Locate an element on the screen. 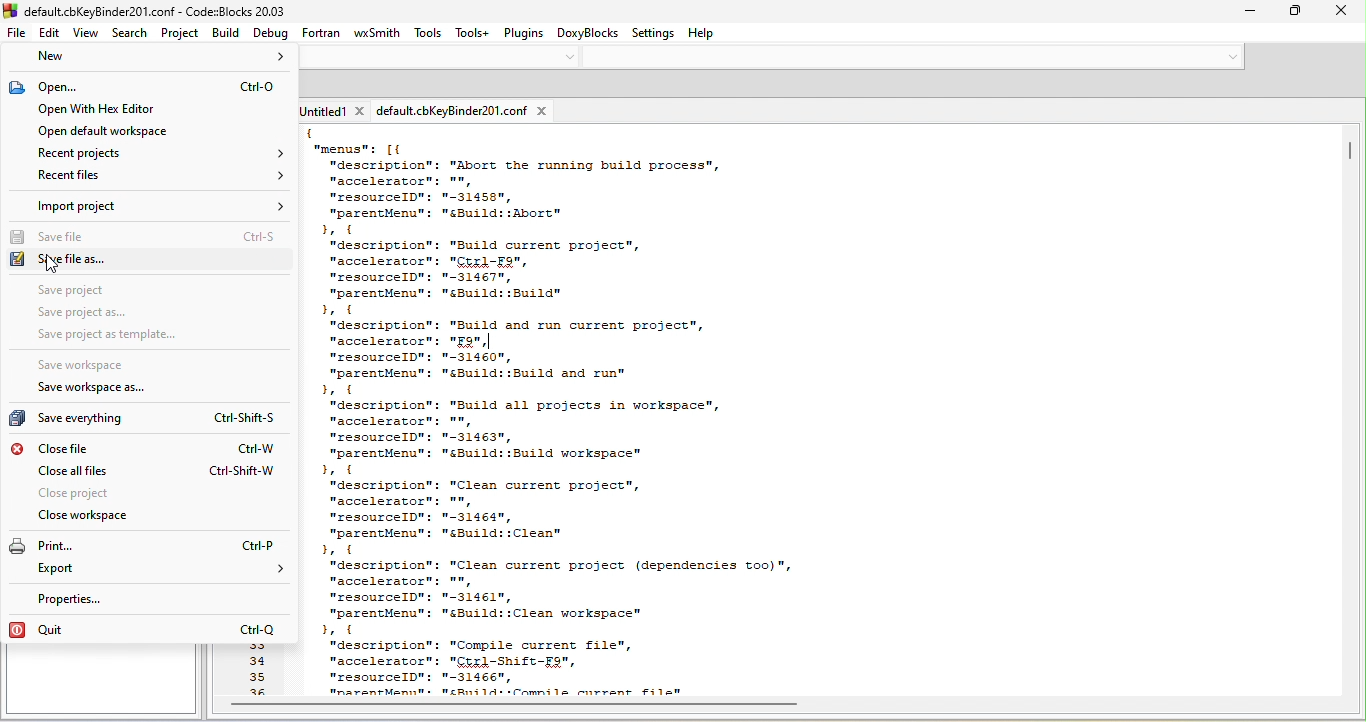  default.cbKeyBinder201.conf - CodezBlocks 20.03 is located at coordinates (161, 11).